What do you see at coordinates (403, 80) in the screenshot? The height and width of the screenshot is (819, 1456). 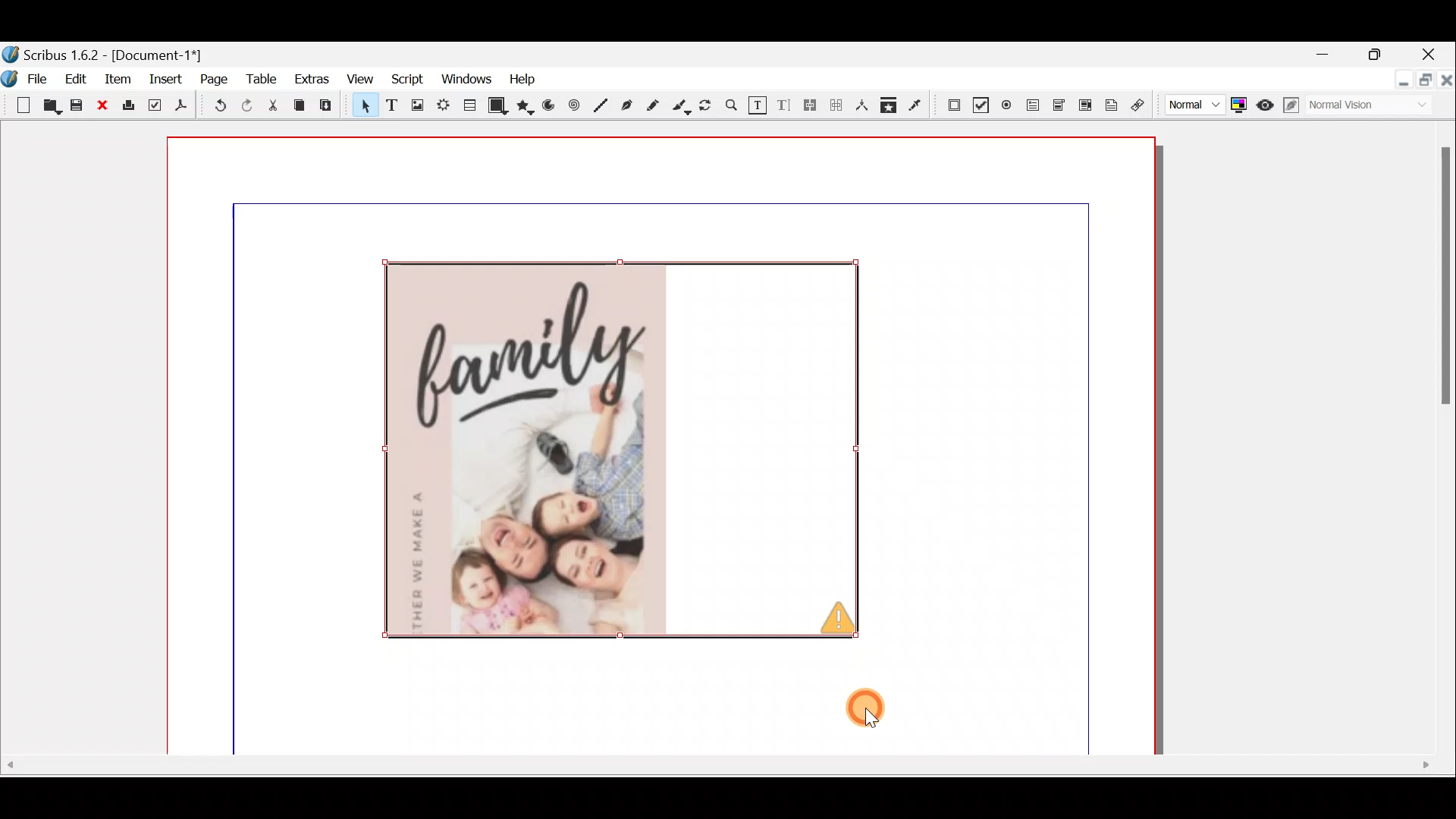 I see `Script` at bounding box center [403, 80].